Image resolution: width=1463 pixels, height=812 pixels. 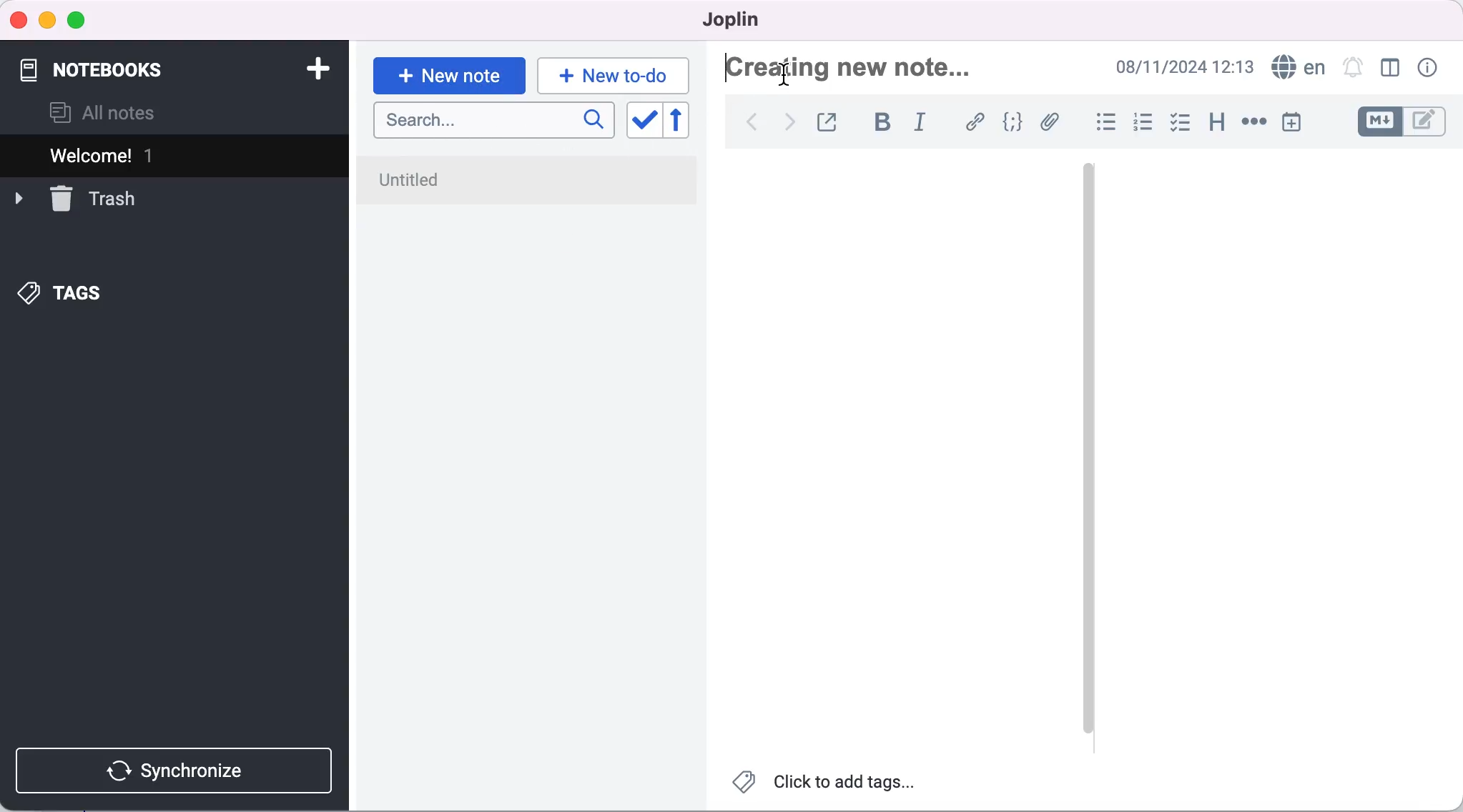 What do you see at coordinates (315, 67) in the screenshot?
I see `add notebook` at bounding box center [315, 67].